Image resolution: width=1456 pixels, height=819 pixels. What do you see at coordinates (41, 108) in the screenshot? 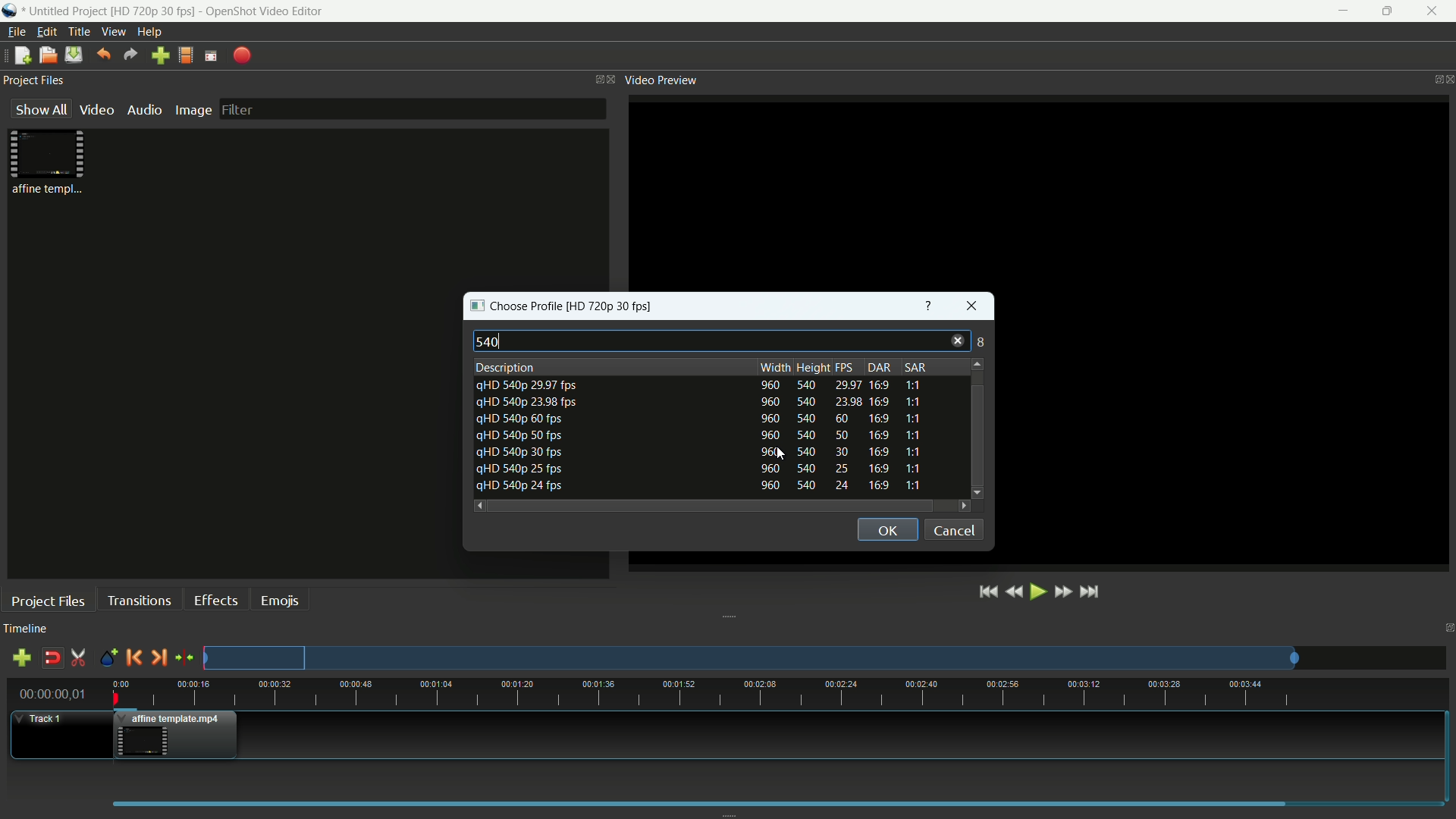
I see `show all` at bounding box center [41, 108].